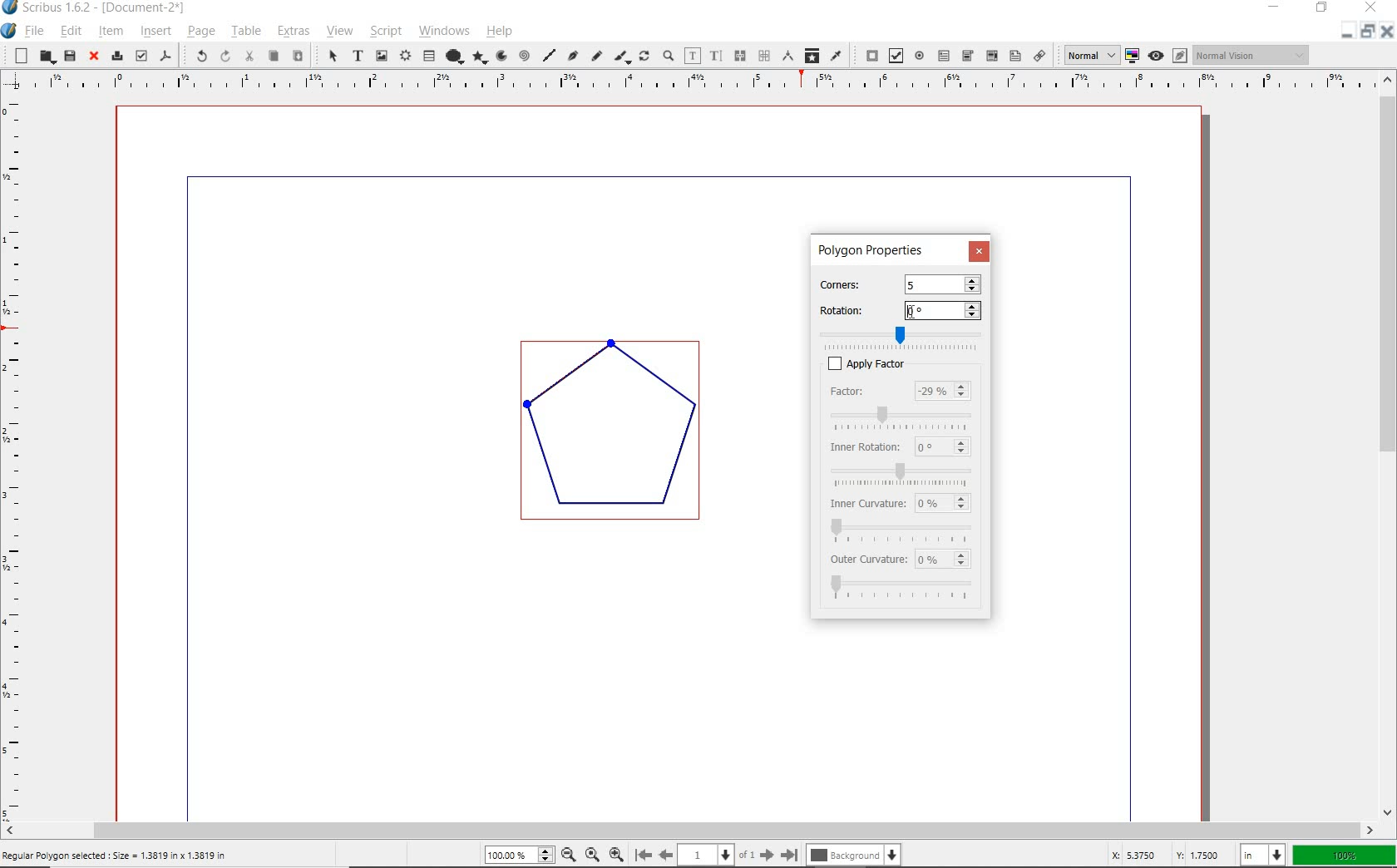  Describe the element at coordinates (763, 55) in the screenshot. I see `unlink text frames` at that location.